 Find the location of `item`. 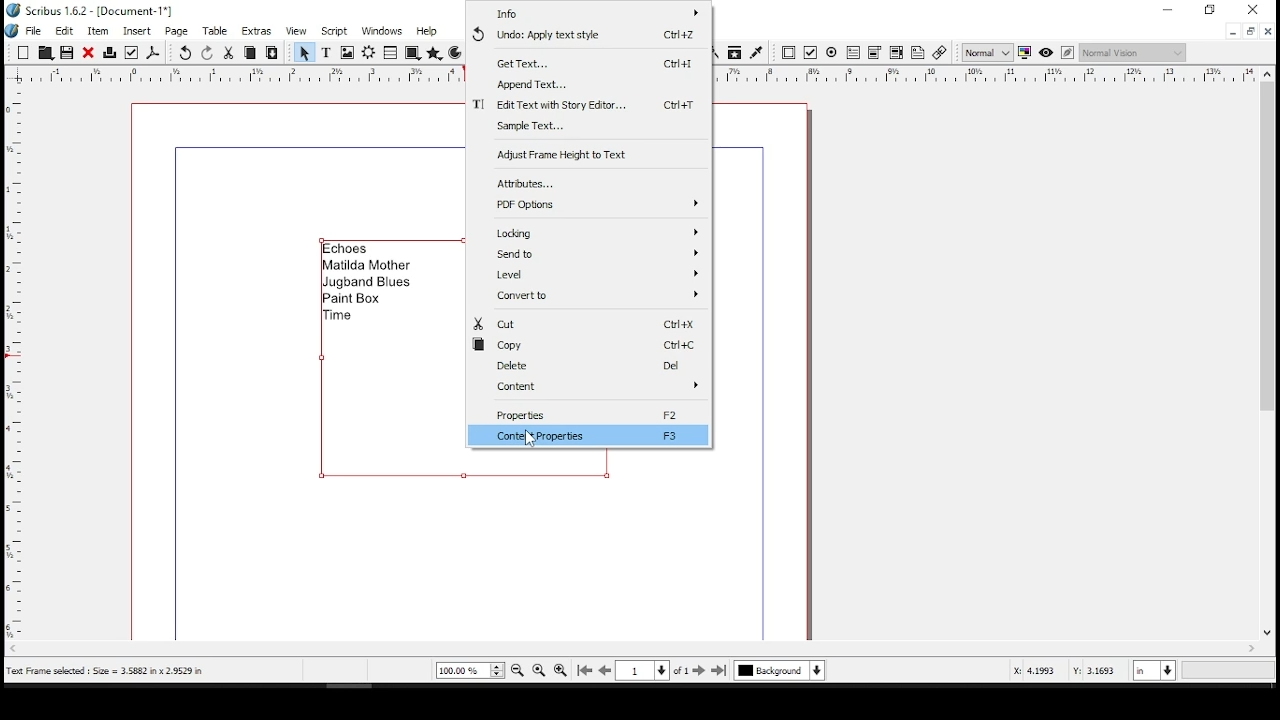

item is located at coordinates (97, 31).